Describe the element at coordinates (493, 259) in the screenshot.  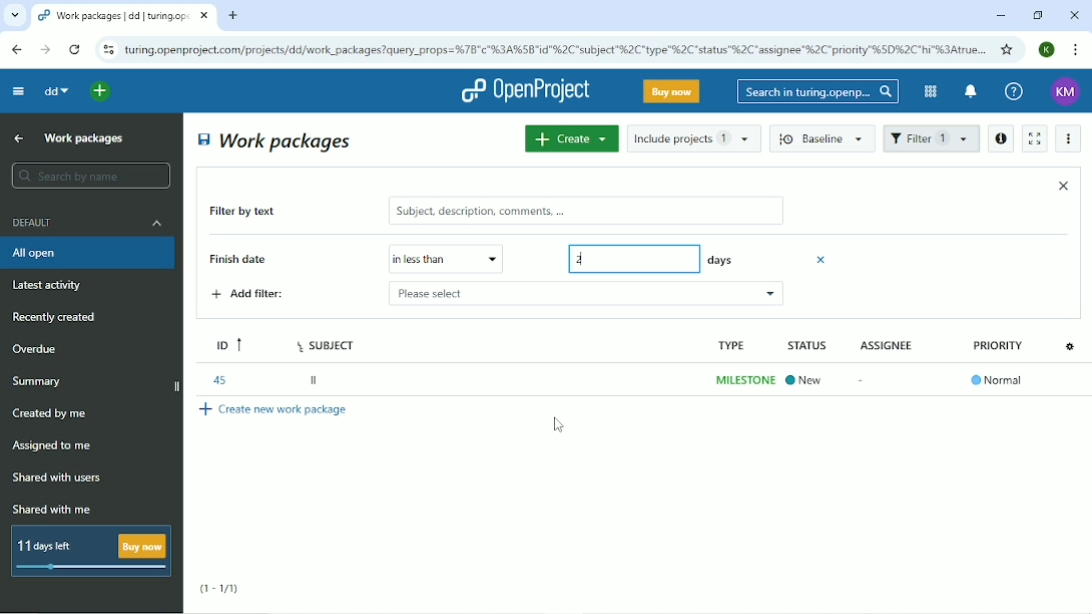
I see `drop down menu` at that location.